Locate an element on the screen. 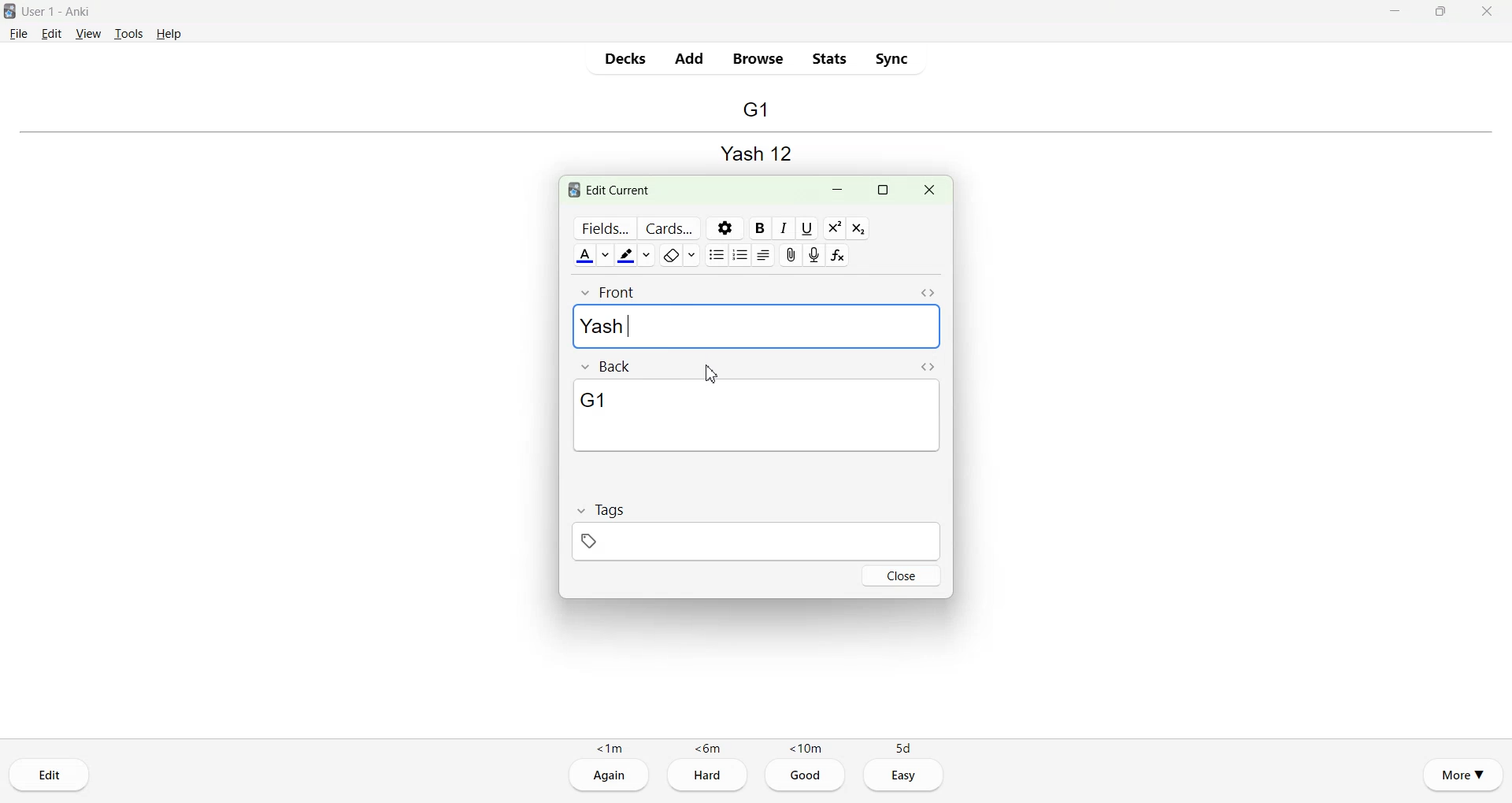 The image size is (1512, 803). Decks is located at coordinates (626, 58).